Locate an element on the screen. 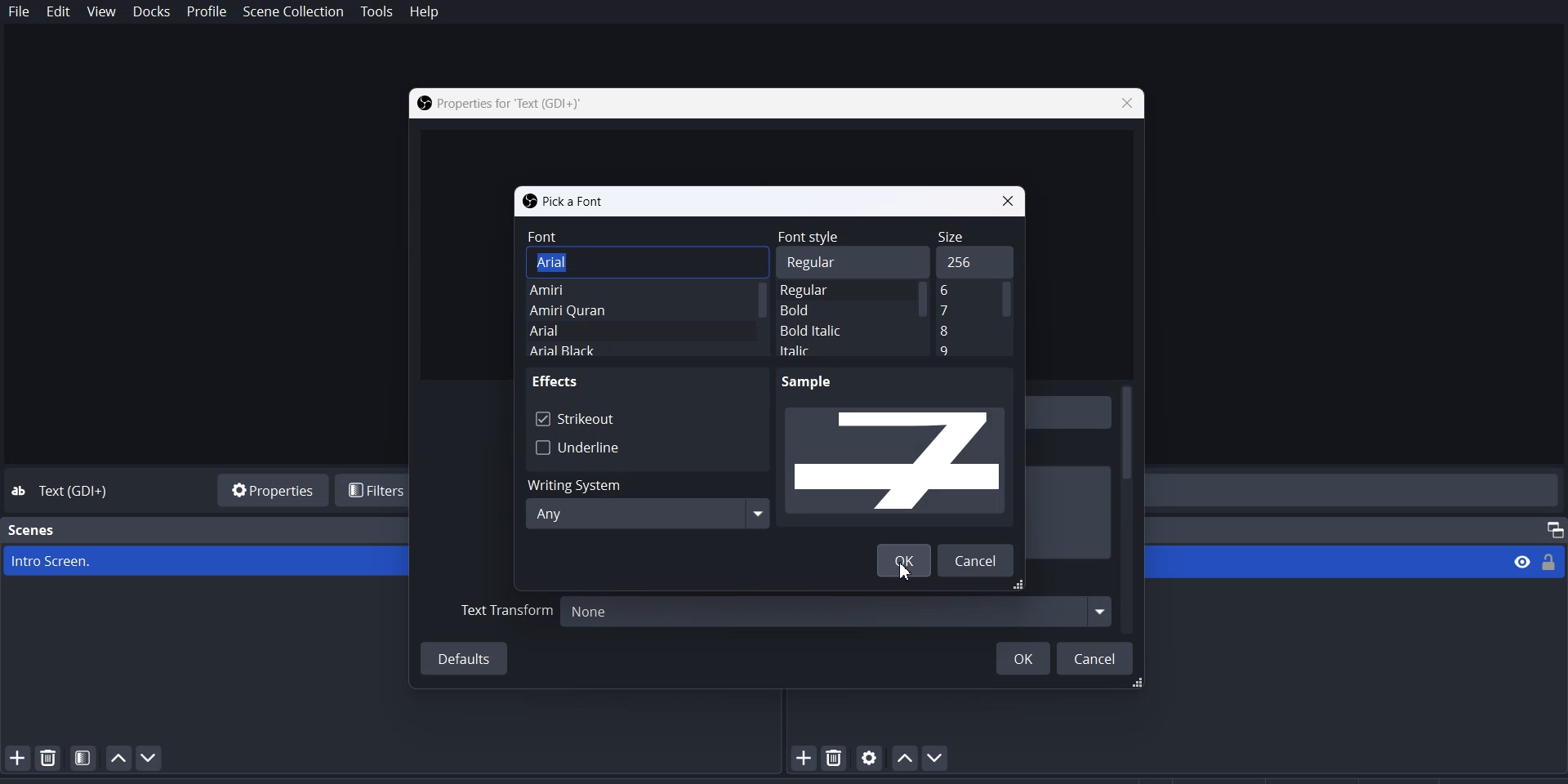 Image resolution: width=1568 pixels, height=784 pixels. Filters is located at coordinates (375, 490).